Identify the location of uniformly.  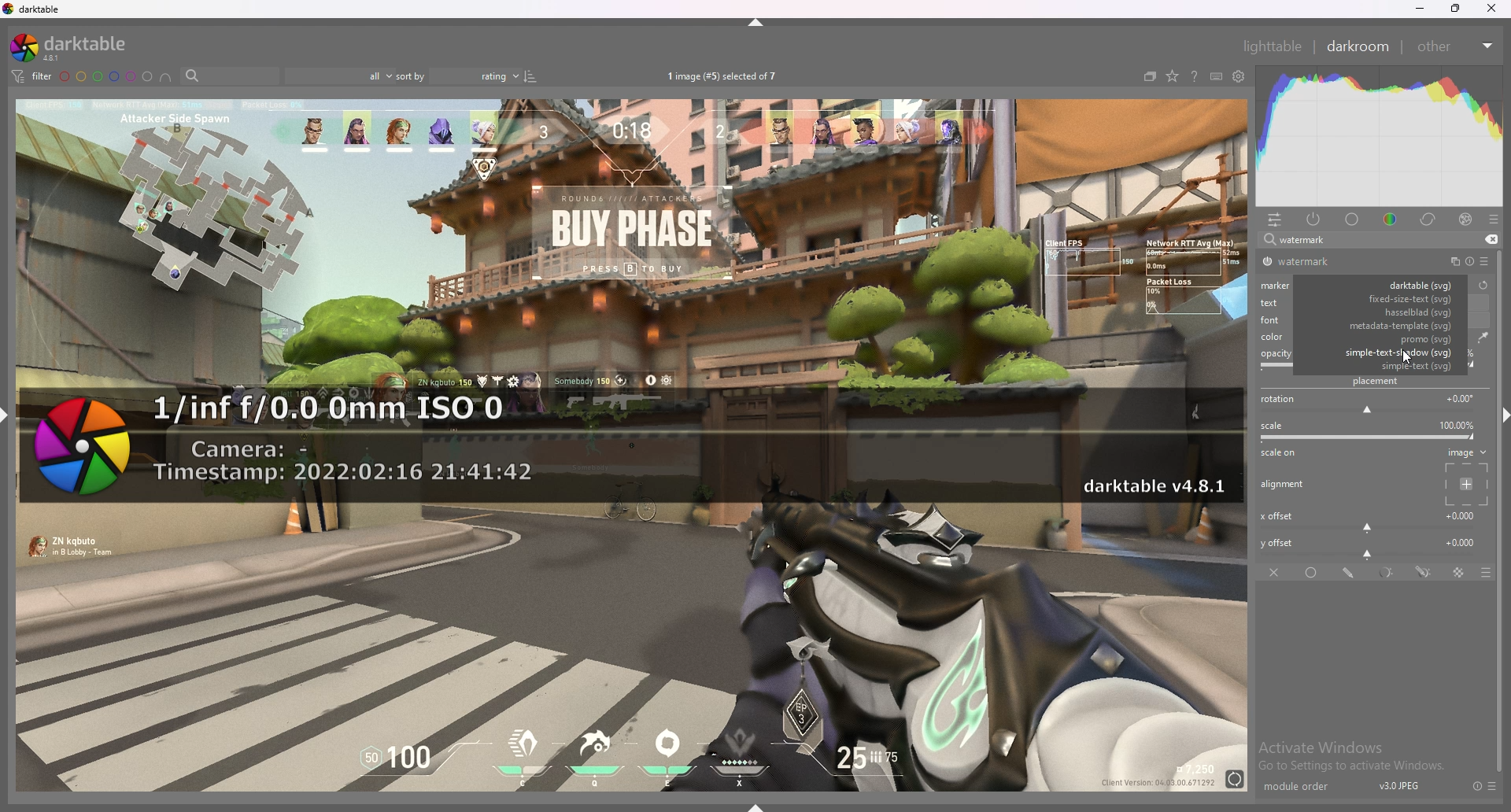
(1313, 573).